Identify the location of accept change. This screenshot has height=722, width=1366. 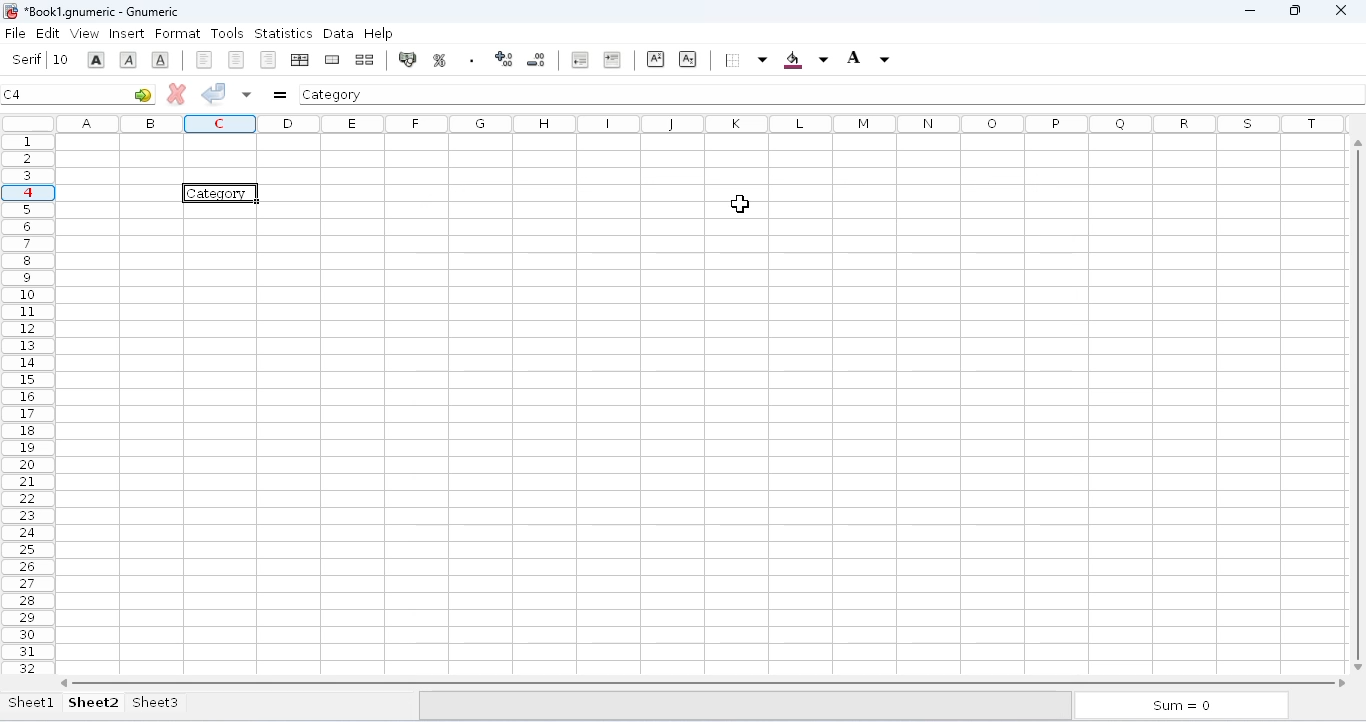
(214, 92).